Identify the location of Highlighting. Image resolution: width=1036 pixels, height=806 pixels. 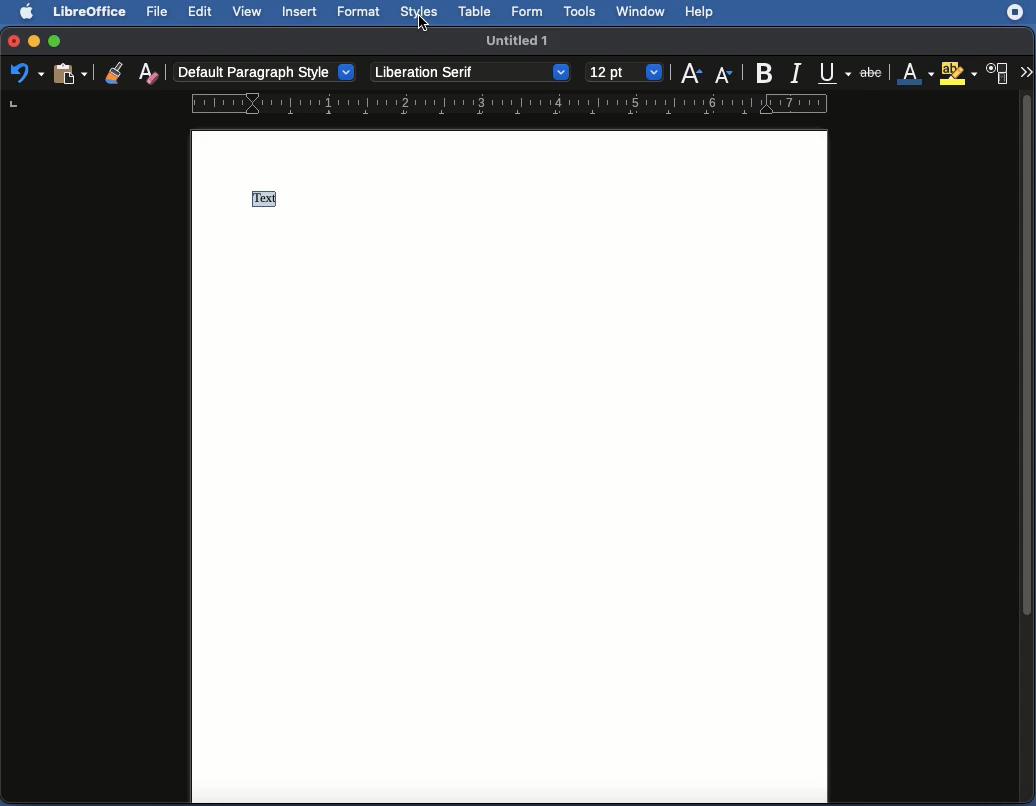
(958, 73).